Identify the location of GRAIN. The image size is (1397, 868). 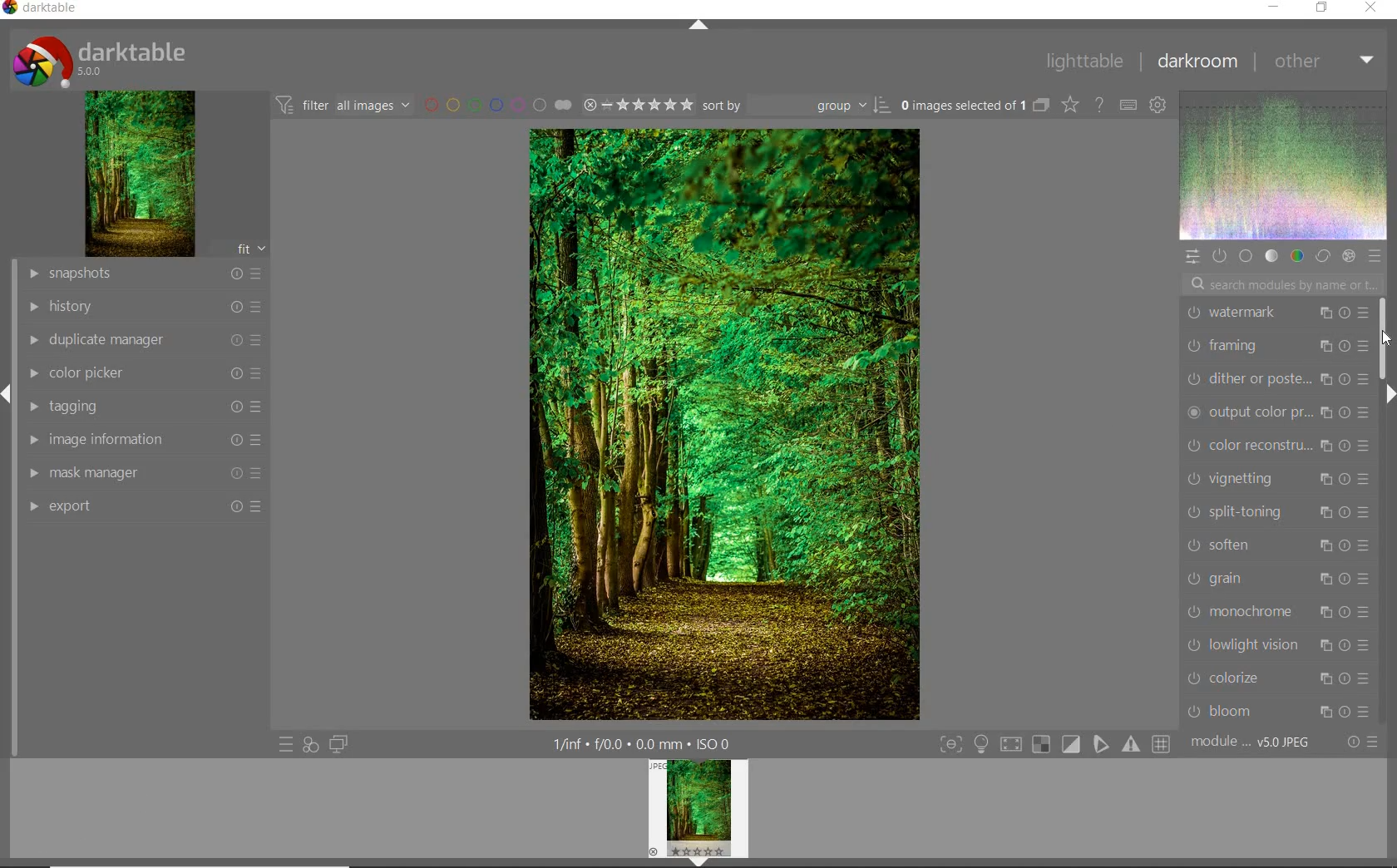
(1278, 578).